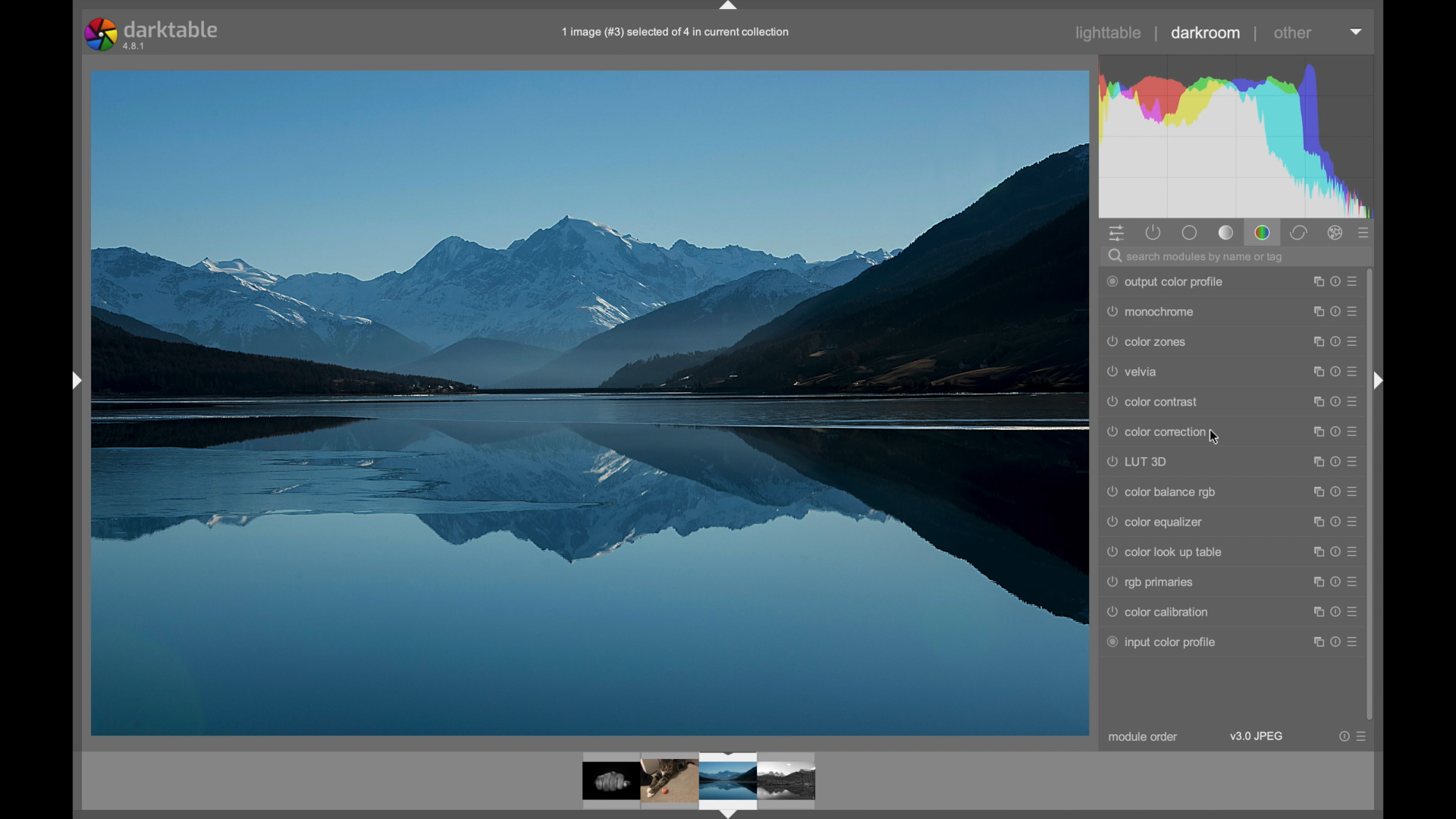 The height and width of the screenshot is (819, 1456). What do you see at coordinates (1356, 736) in the screenshot?
I see `more options` at bounding box center [1356, 736].